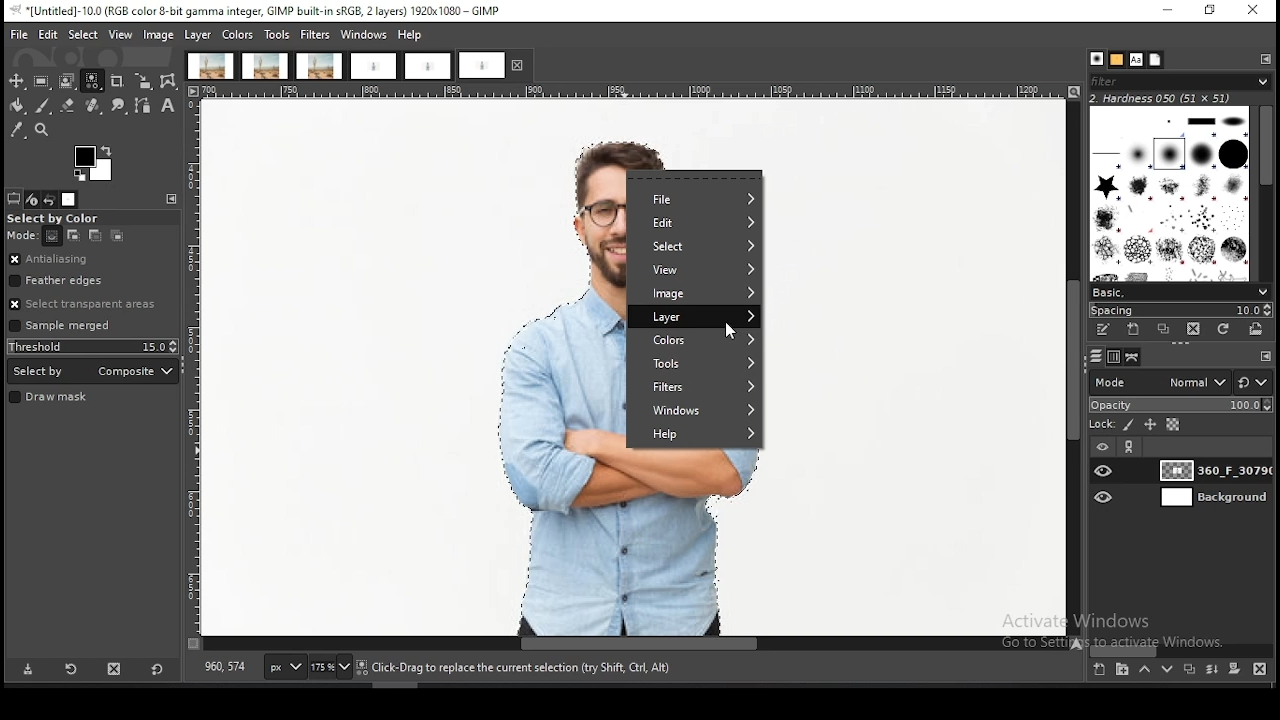 The width and height of the screenshot is (1280, 720). What do you see at coordinates (732, 332) in the screenshot?
I see `mouse pointer` at bounding box center [732, 332].